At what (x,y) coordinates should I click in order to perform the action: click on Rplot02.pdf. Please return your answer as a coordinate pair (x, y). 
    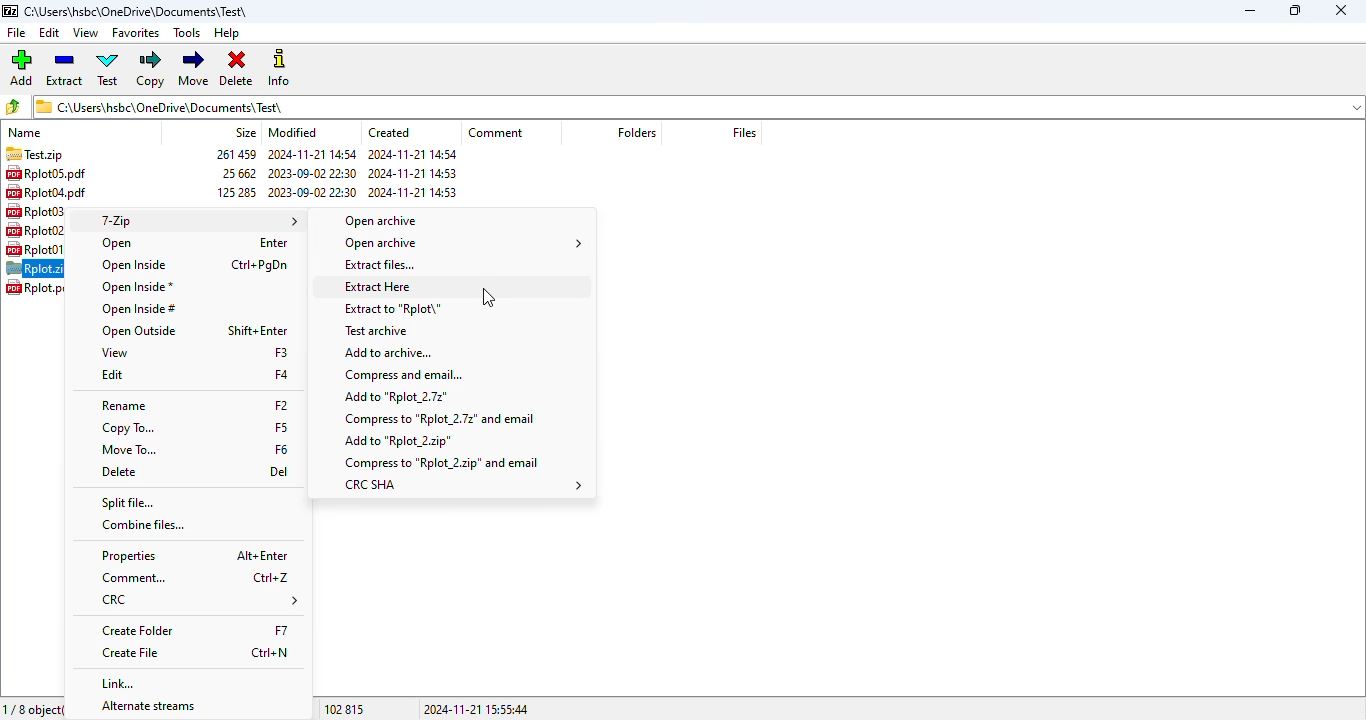
    Looking at the image, I should click on (47, 230).